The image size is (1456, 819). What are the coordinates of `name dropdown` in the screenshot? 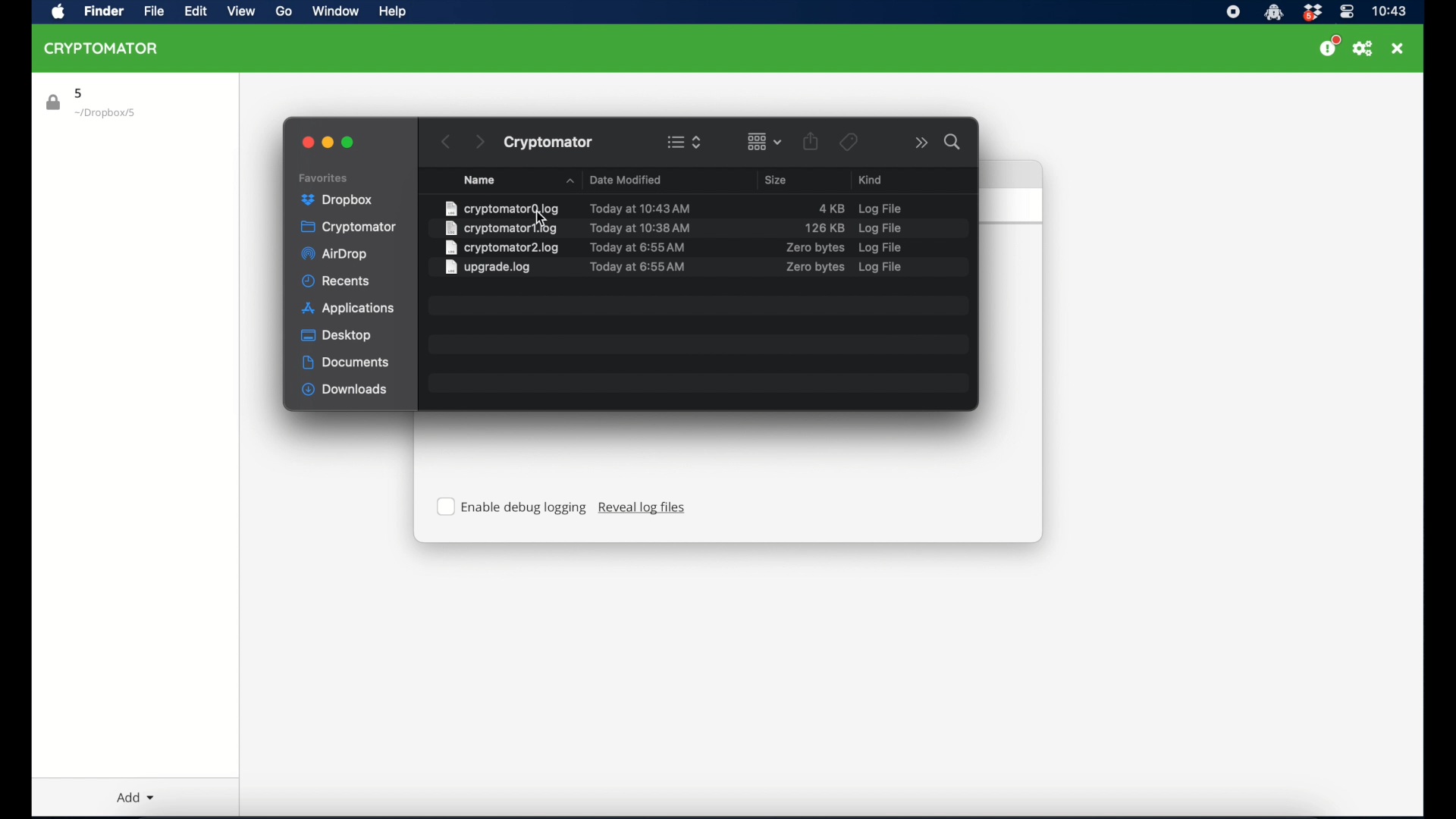 It's located at (570, 181).